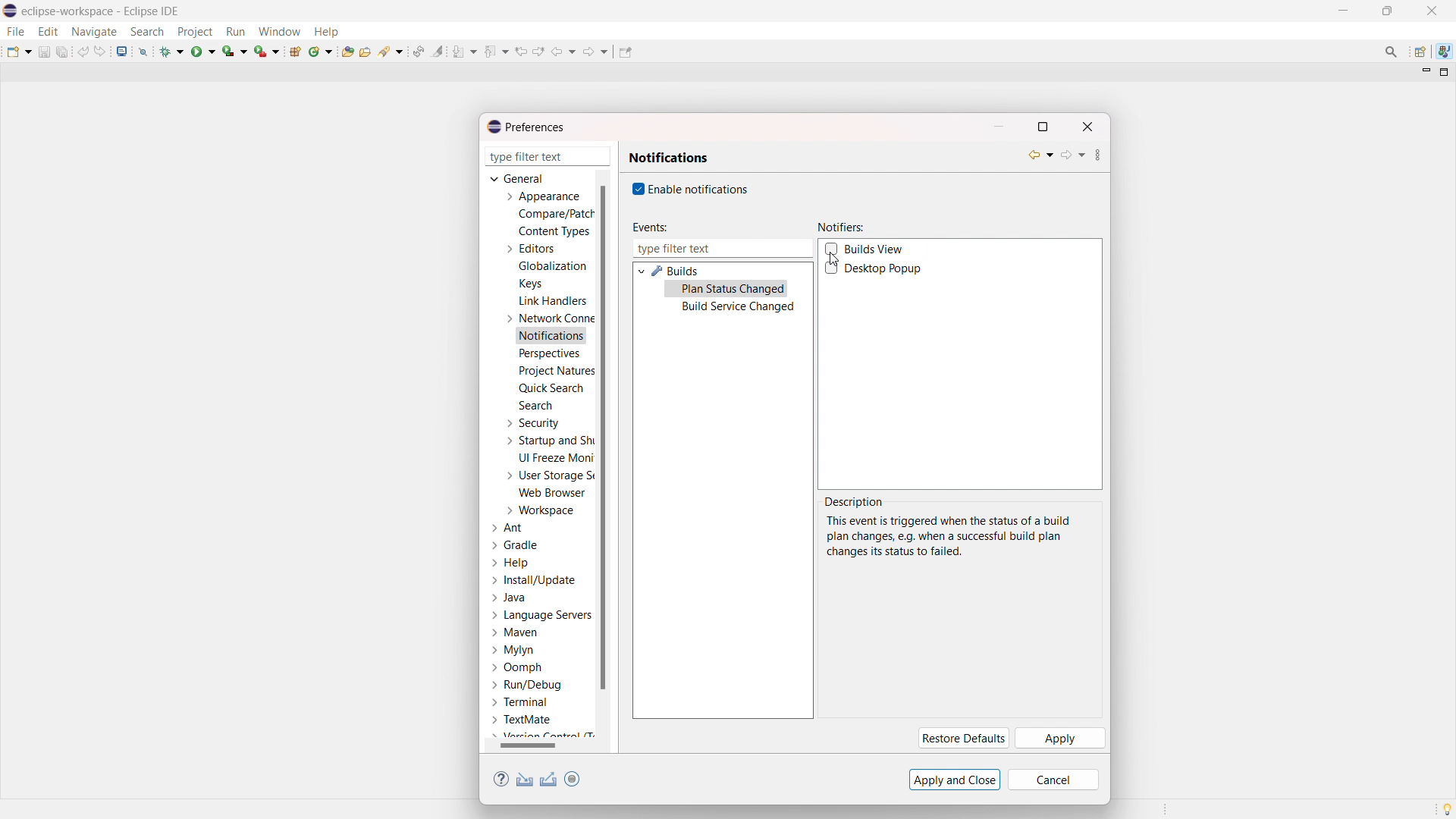  I want to click on skip all breakpoints, so click(143, 51).